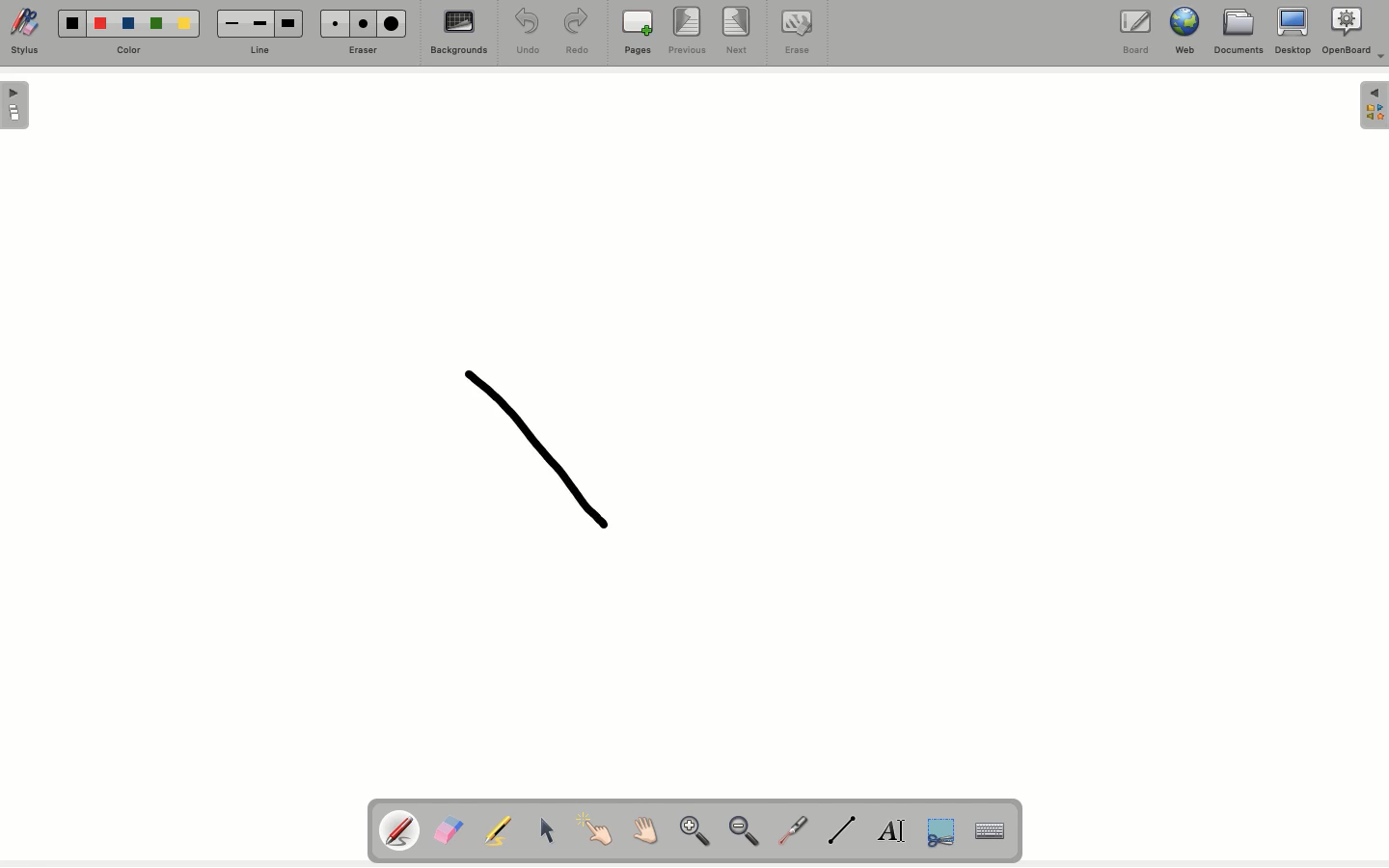 This screenshot has height=868, width=1389. I want to click on Zoom in, so click(694, 832).